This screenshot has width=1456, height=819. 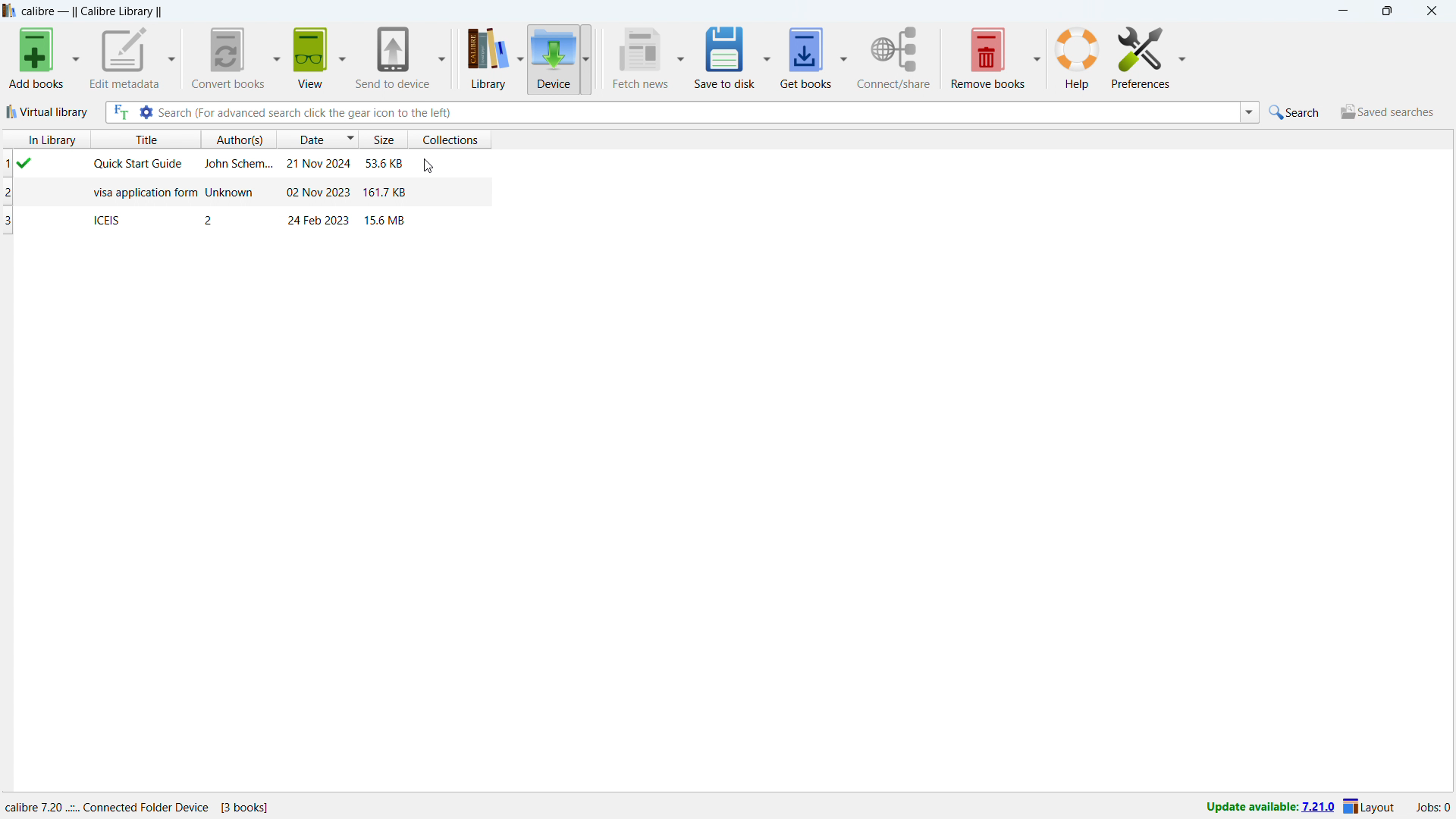 I want to click on device, so click(x=553, y=58).